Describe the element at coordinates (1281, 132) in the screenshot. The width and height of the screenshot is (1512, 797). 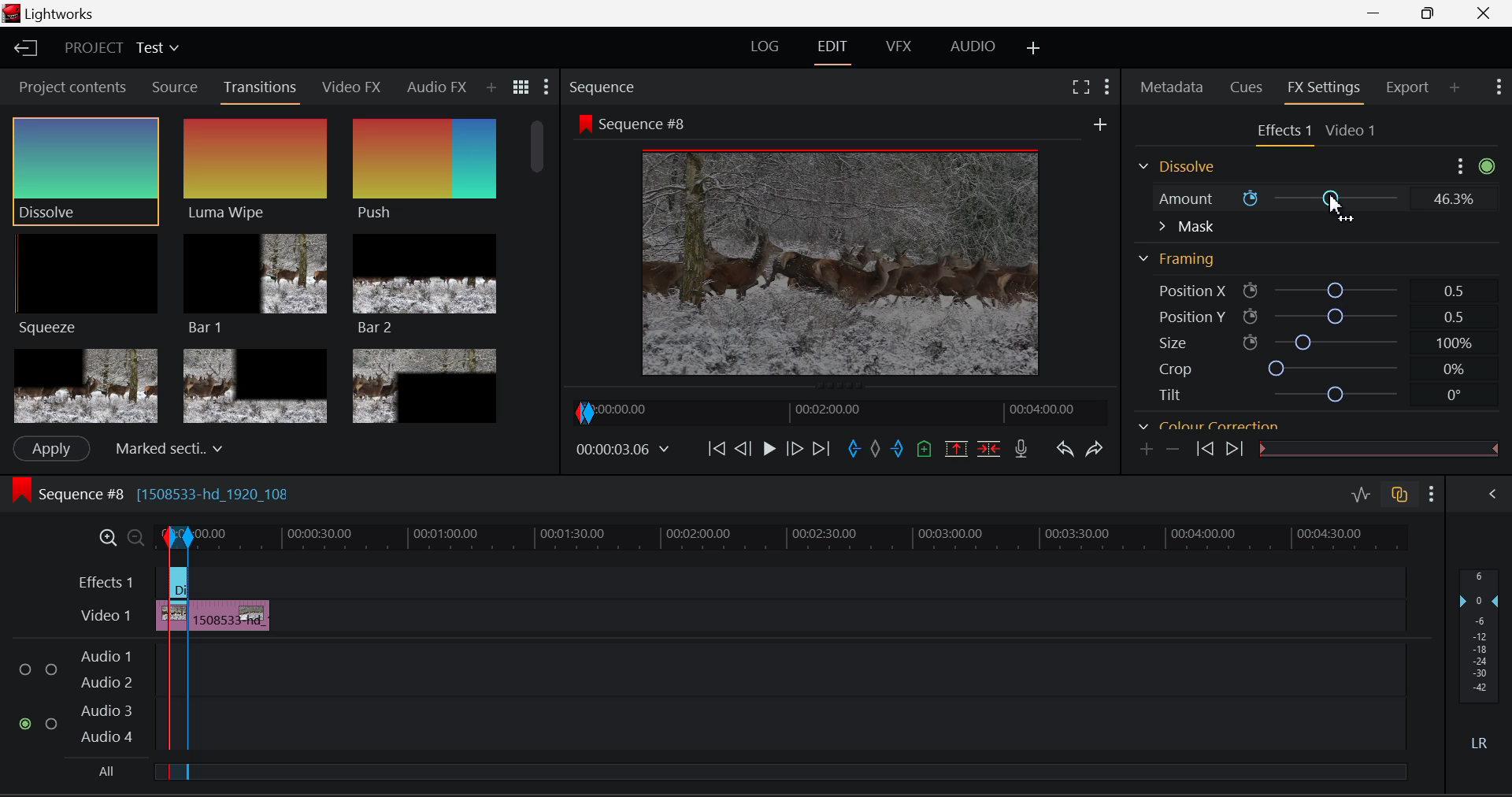
I see `Effects Settings` at that location.